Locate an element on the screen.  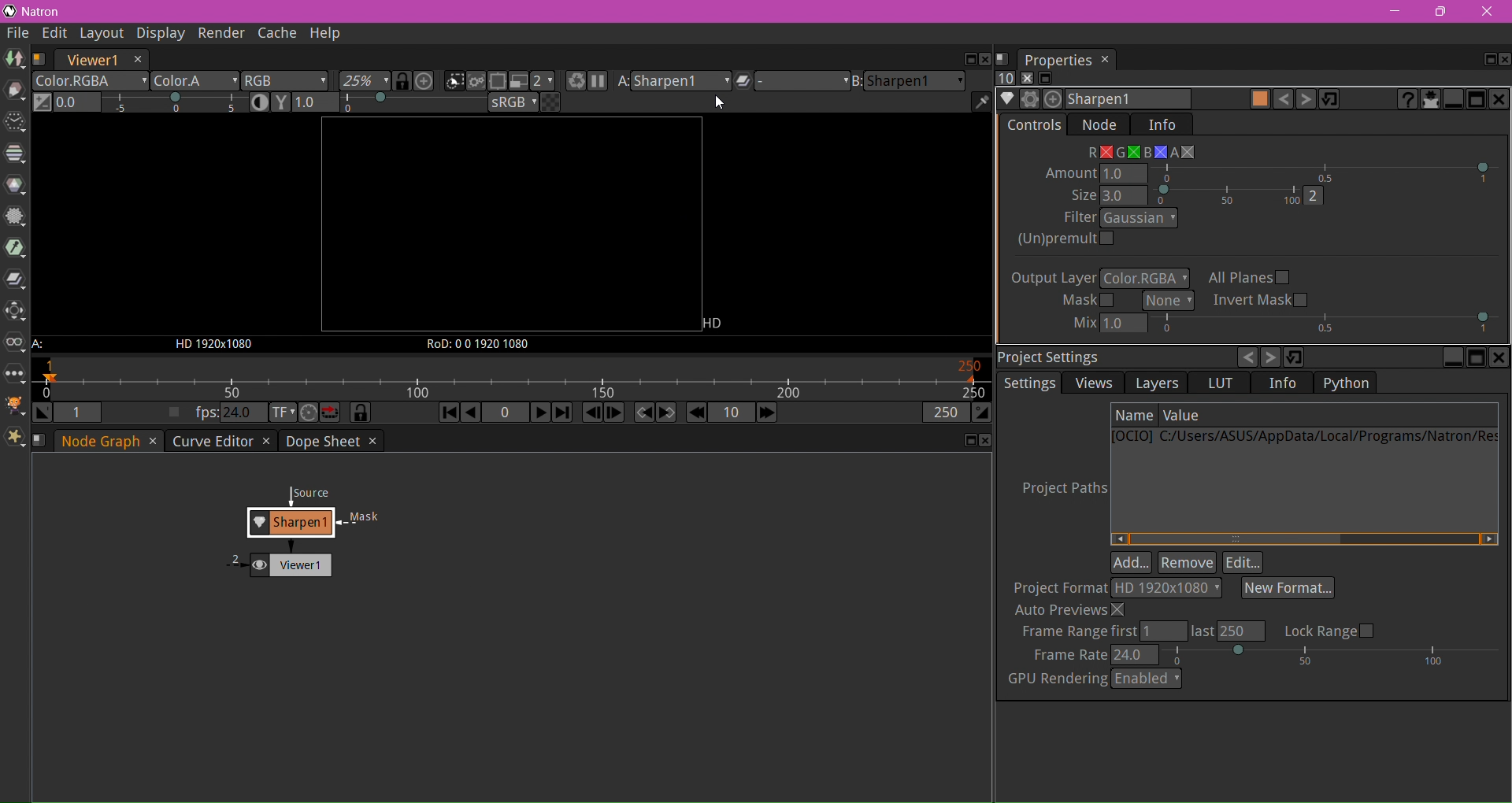
Close is located at coordinates (1486, 12).